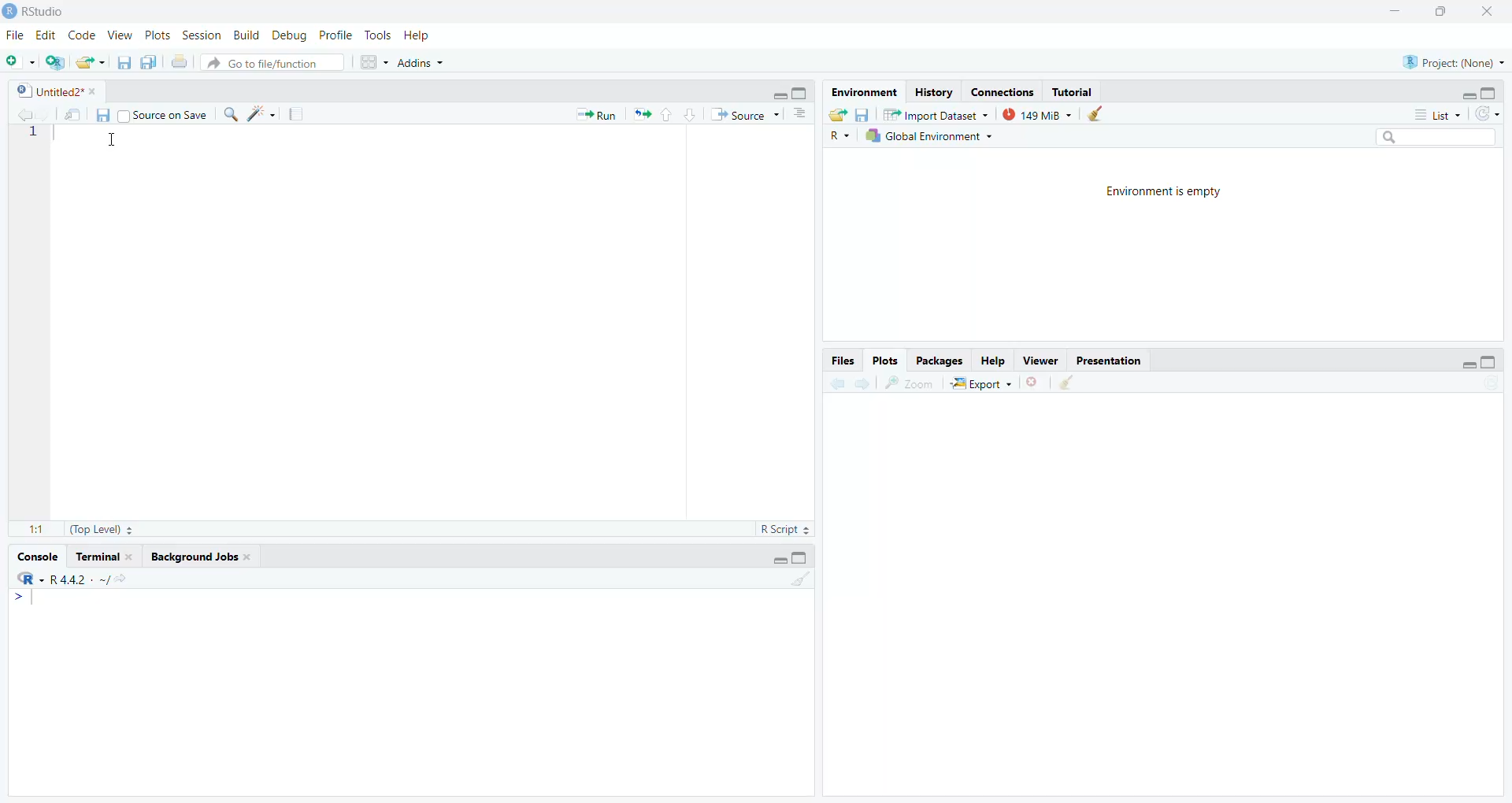  I want to click on Session, so click(201, 35).